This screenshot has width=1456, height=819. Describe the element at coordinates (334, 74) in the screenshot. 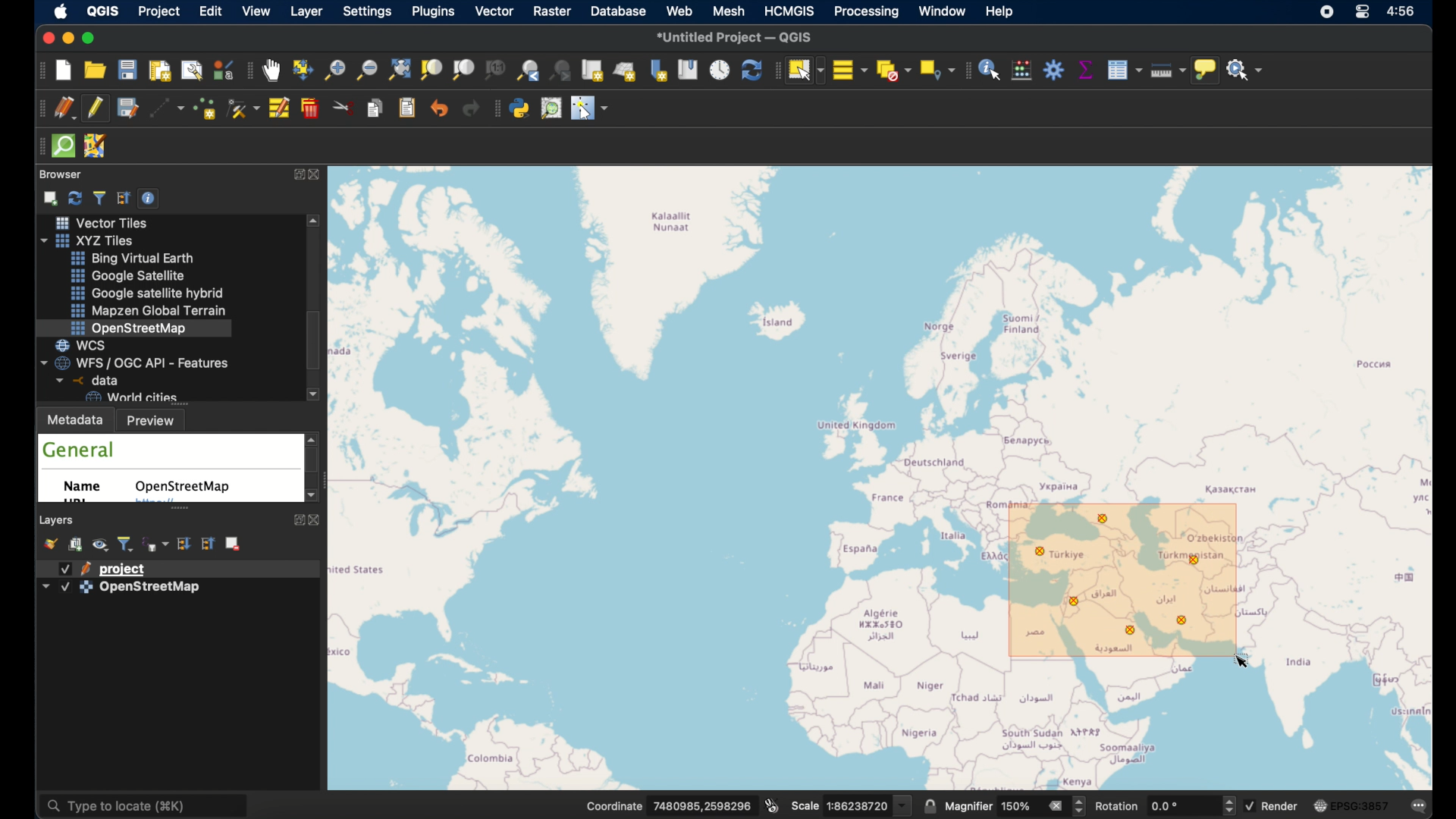

I see `zoom in` at that location.